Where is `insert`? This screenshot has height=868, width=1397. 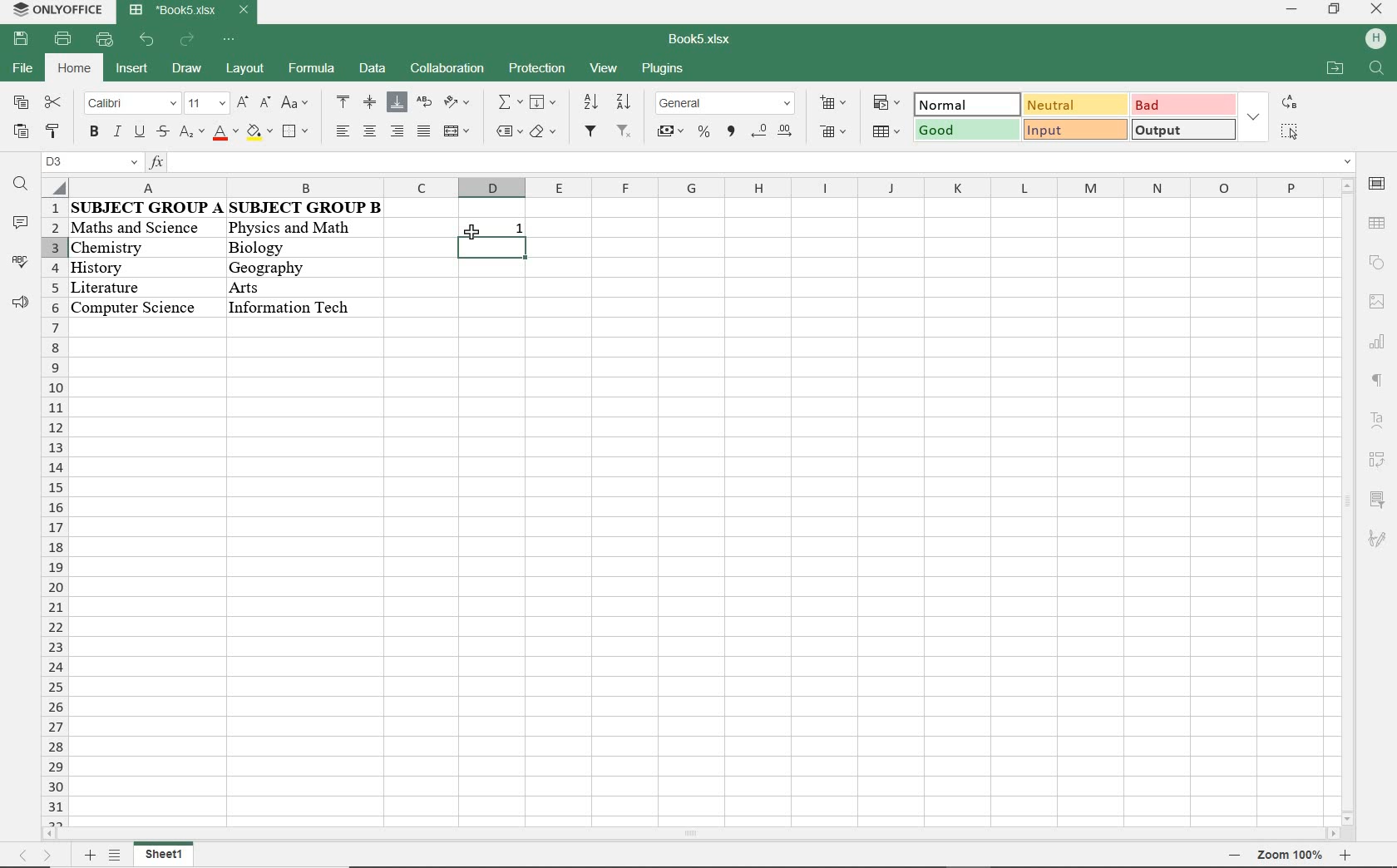 insert is located at coordinates (135, 70).